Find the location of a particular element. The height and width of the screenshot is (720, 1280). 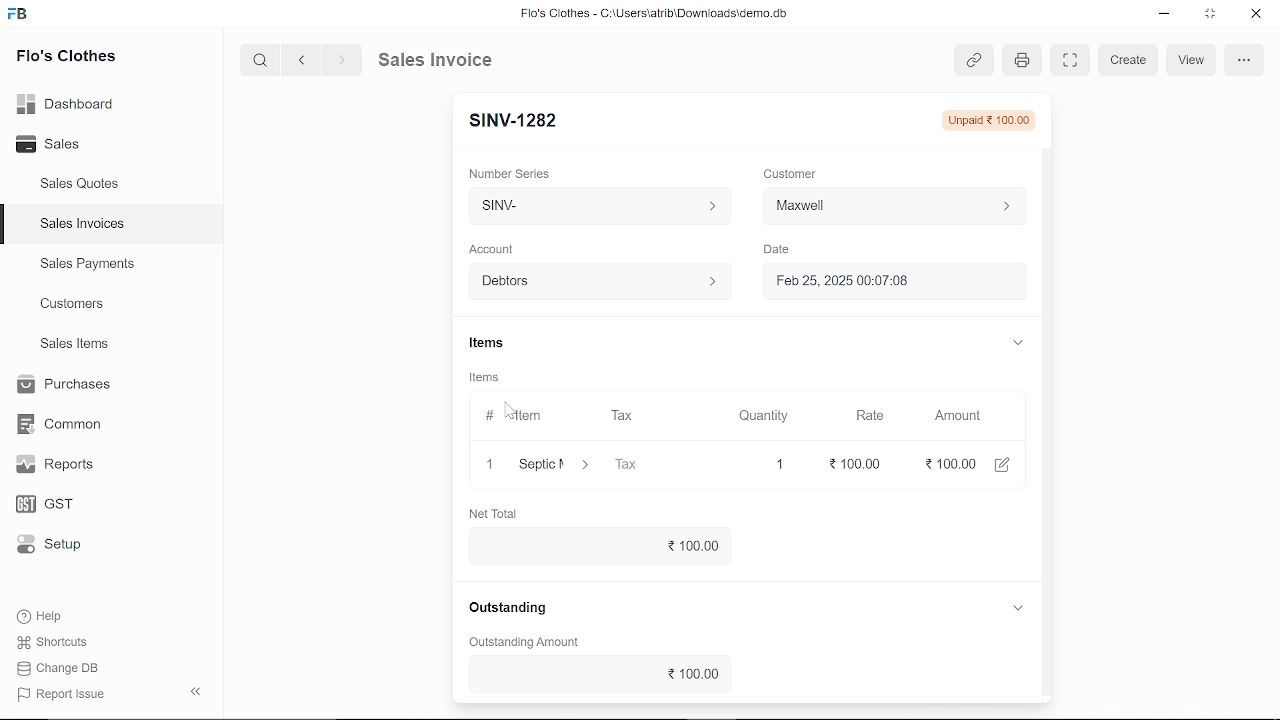

expand reference is located at coordinates (1019, 608).